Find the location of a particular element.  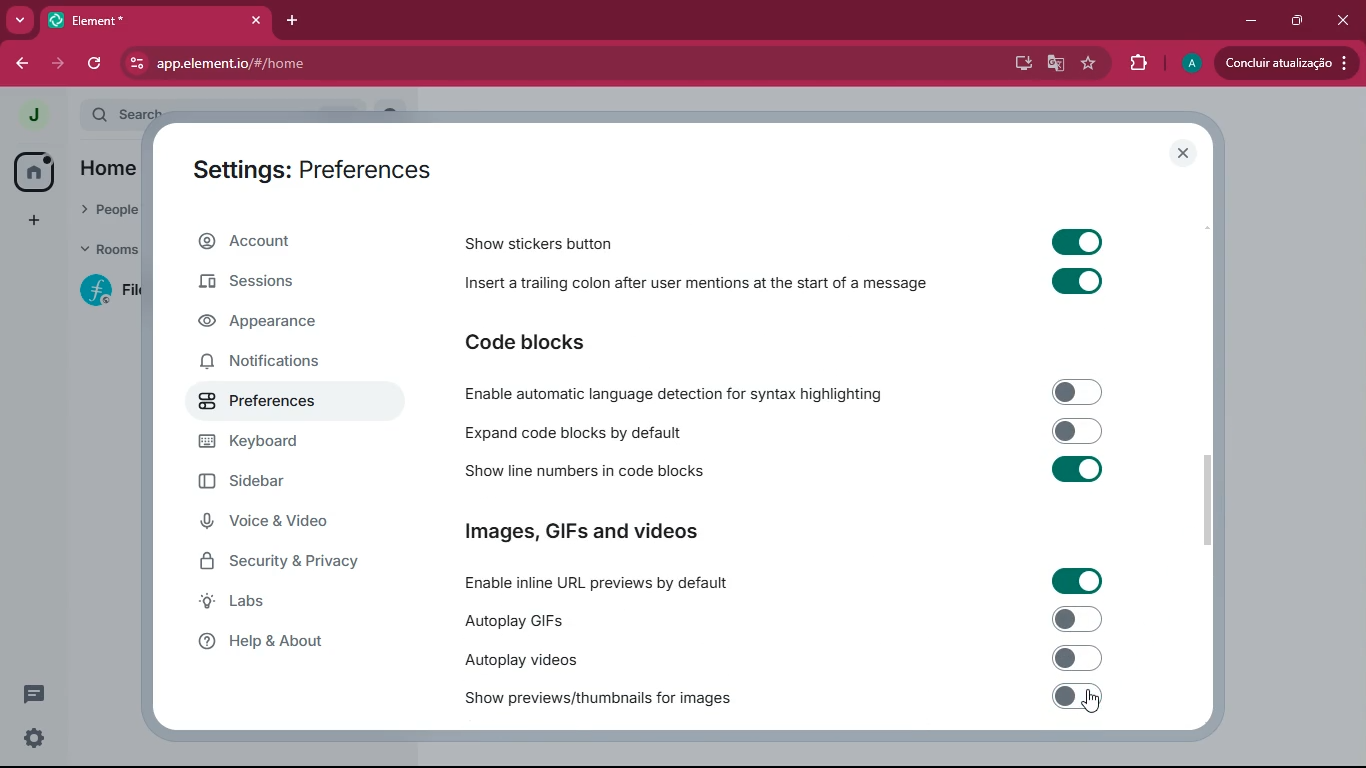

Keyboard is located at coordinates (271, 442).